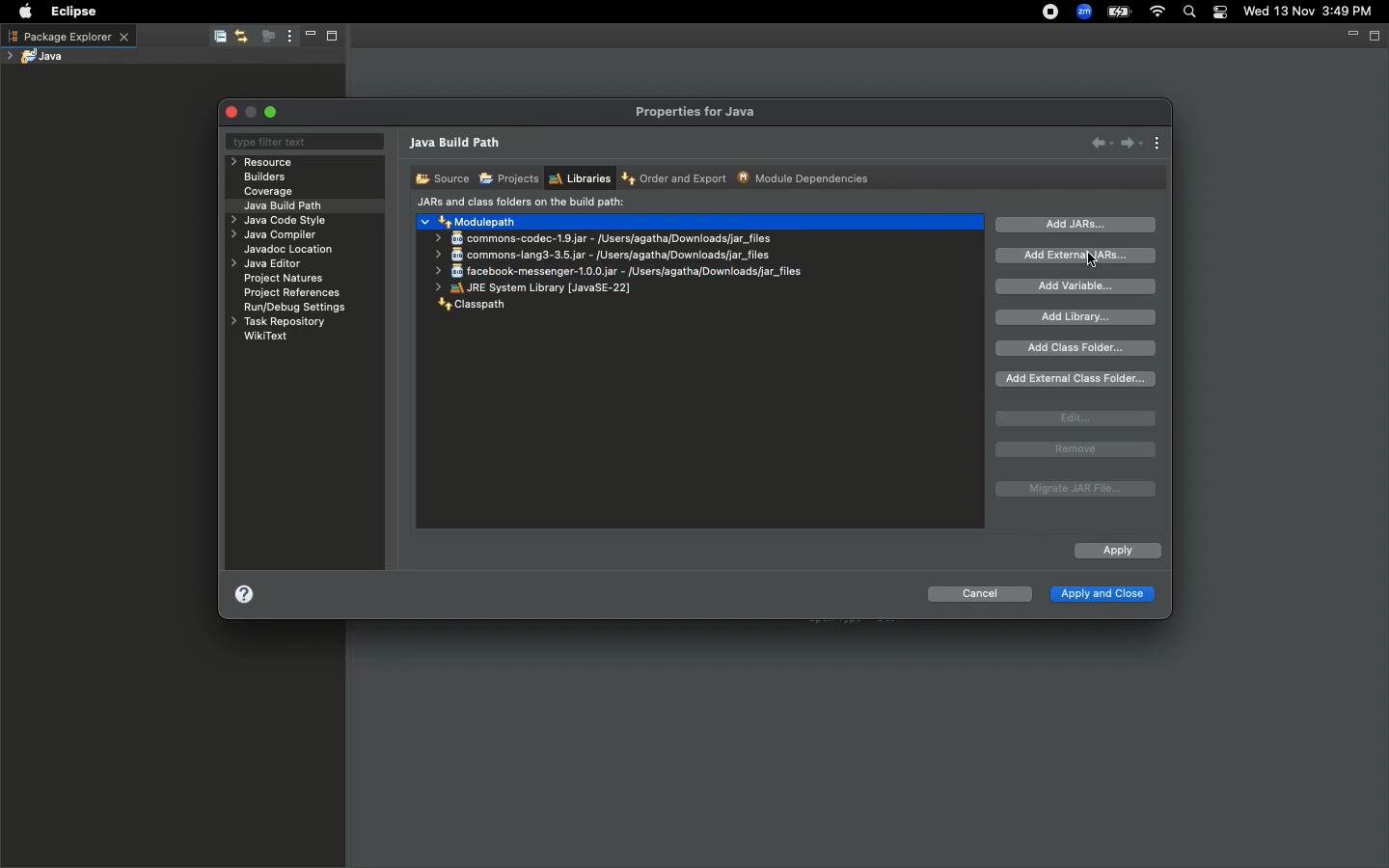 The height and width of the screenshot is (868, 1389). I want to click on commons-codec-1.9.jar - /users/agatha/Downloads/jar_files commons-lang3-3.5.jar - /Users/agatha/Downloads/jar_files facebook-messenger-1.0.0.jar - /Users/agatha/Downloads/jar_files JRE System Library [JavaSE-22], so click(622, 260).